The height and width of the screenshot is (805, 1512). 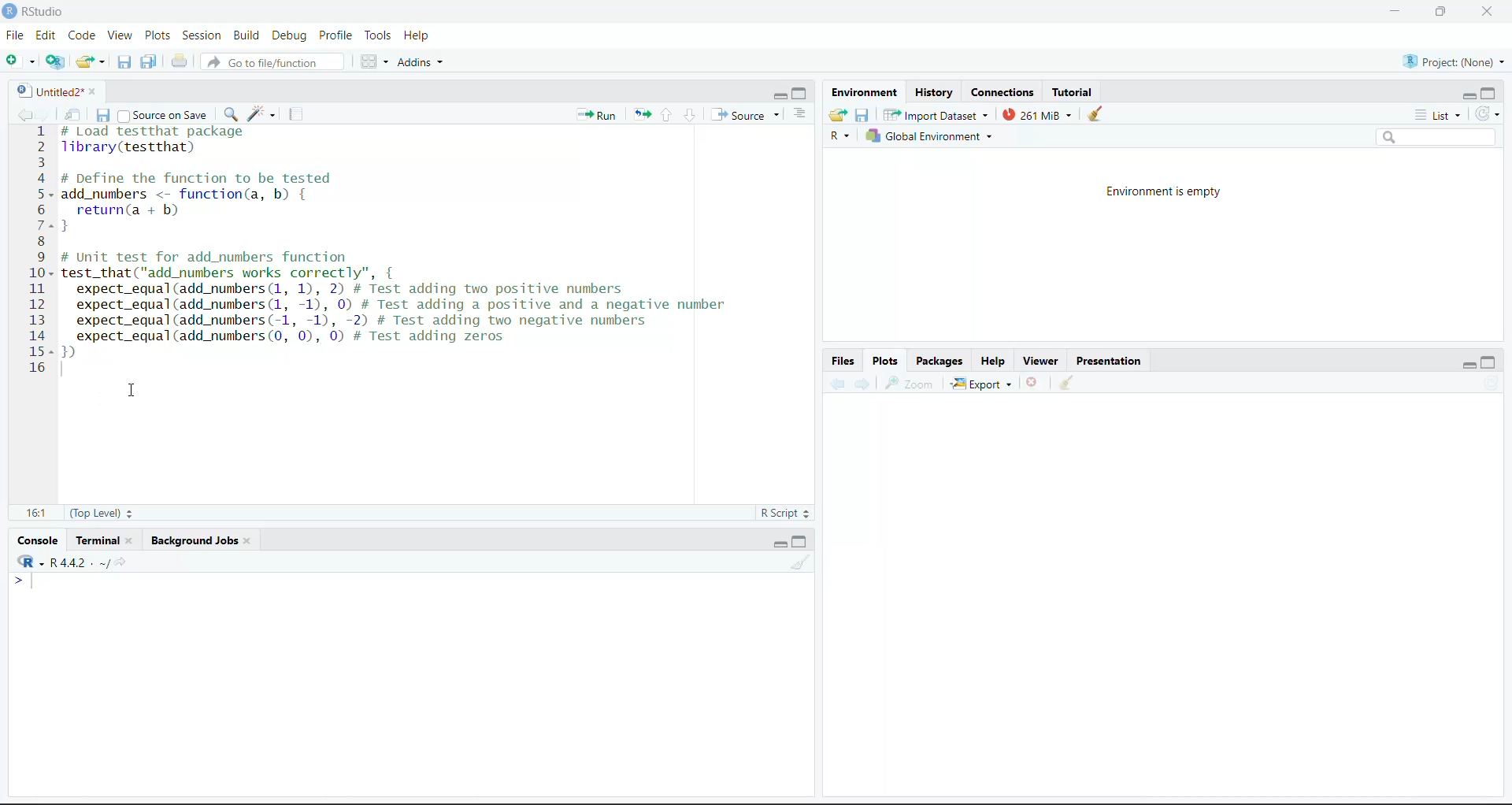 I want to click on logo, so click(x=9, y=11).